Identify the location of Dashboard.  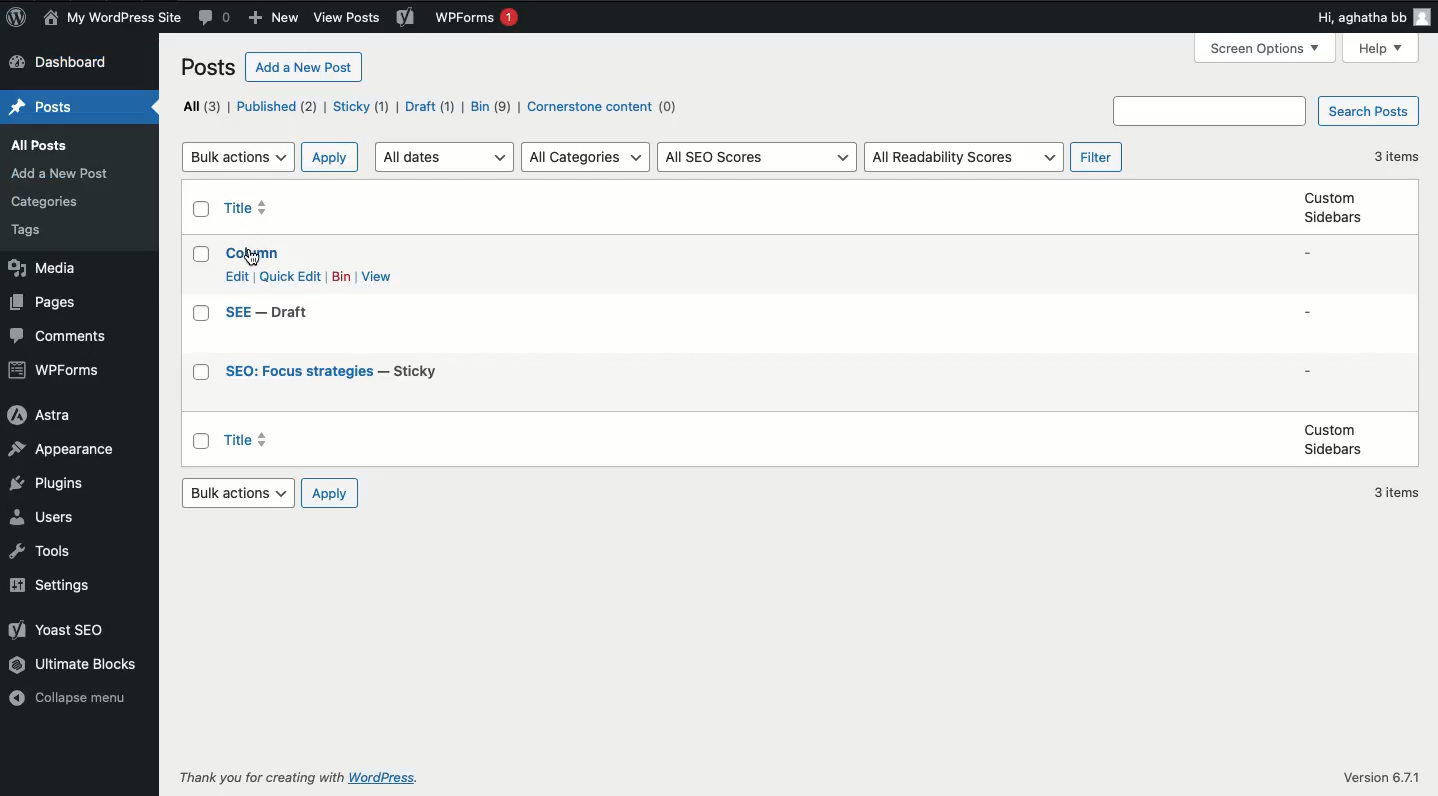
(61, 63).